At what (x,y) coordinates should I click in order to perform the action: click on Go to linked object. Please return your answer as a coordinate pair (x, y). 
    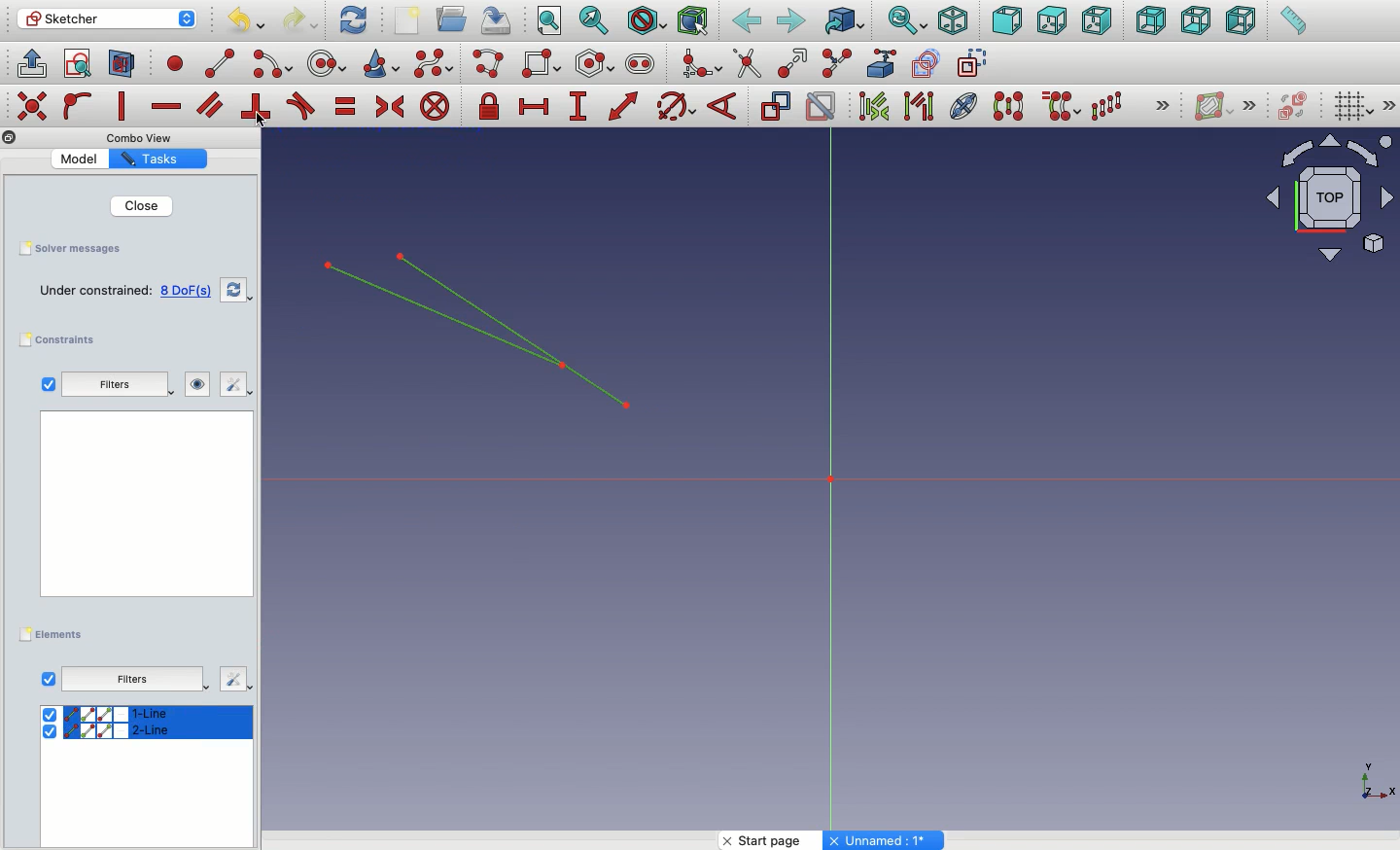
    Looking at the image, I should click on (844, 20).